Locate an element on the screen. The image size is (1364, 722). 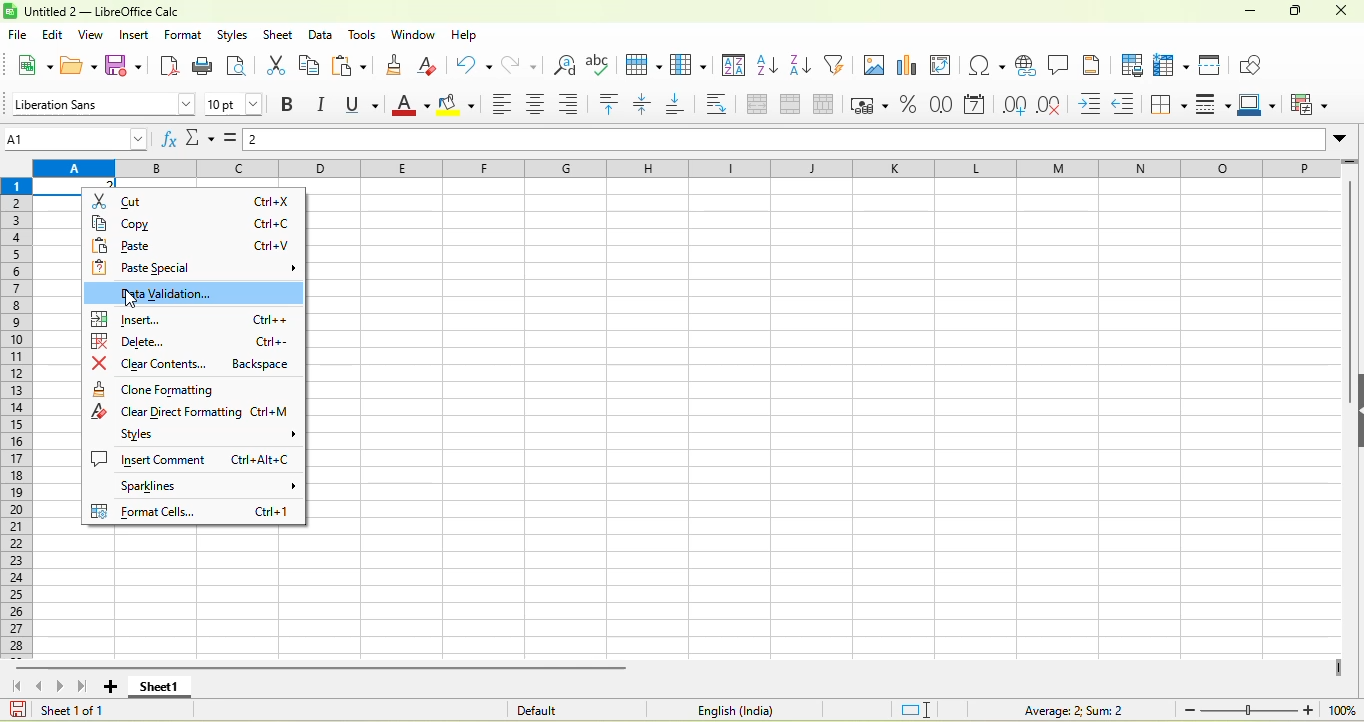
redo is located at coordinates (526, 64).